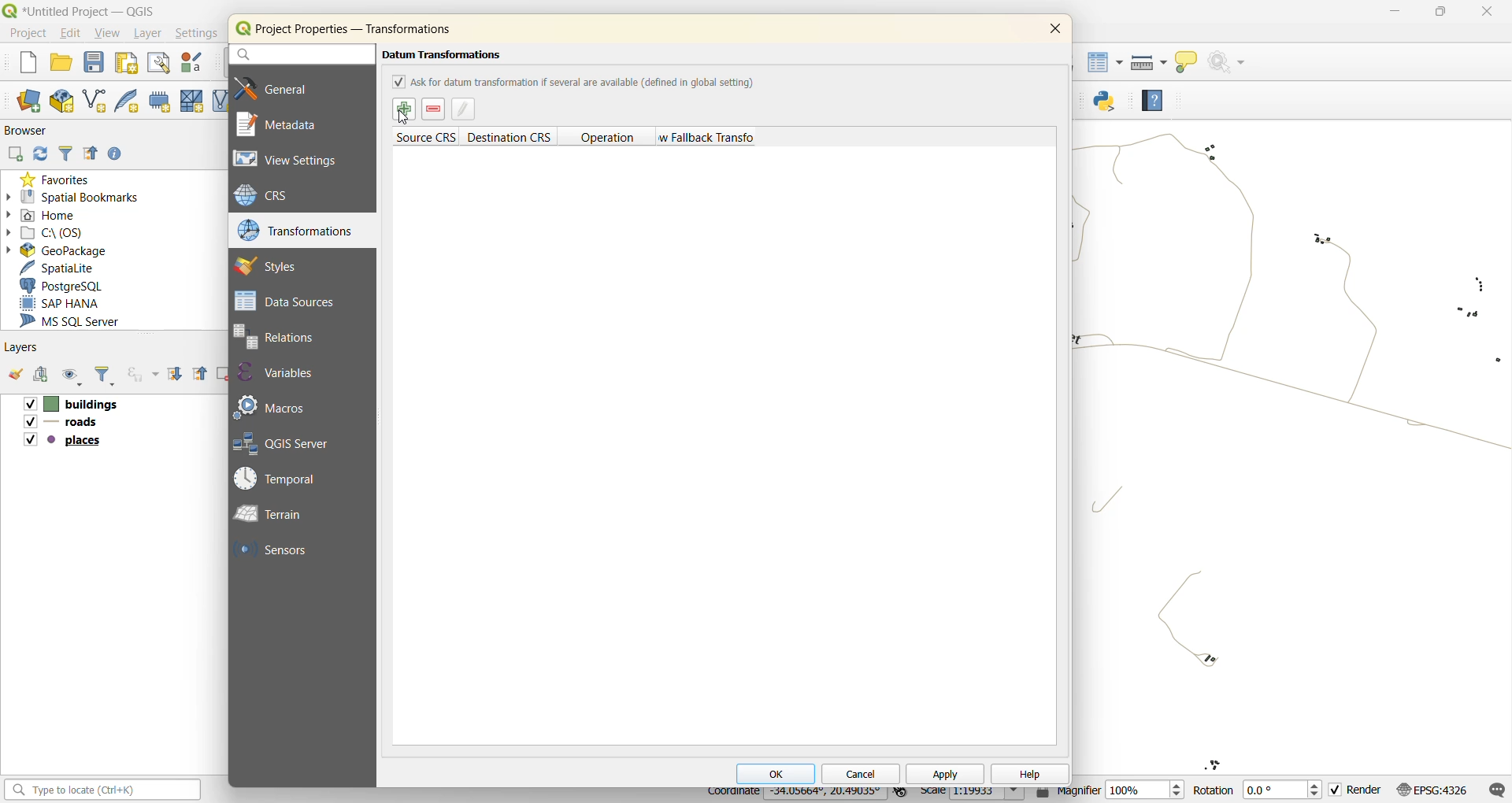  I want to click on apply, so click(947, 775).